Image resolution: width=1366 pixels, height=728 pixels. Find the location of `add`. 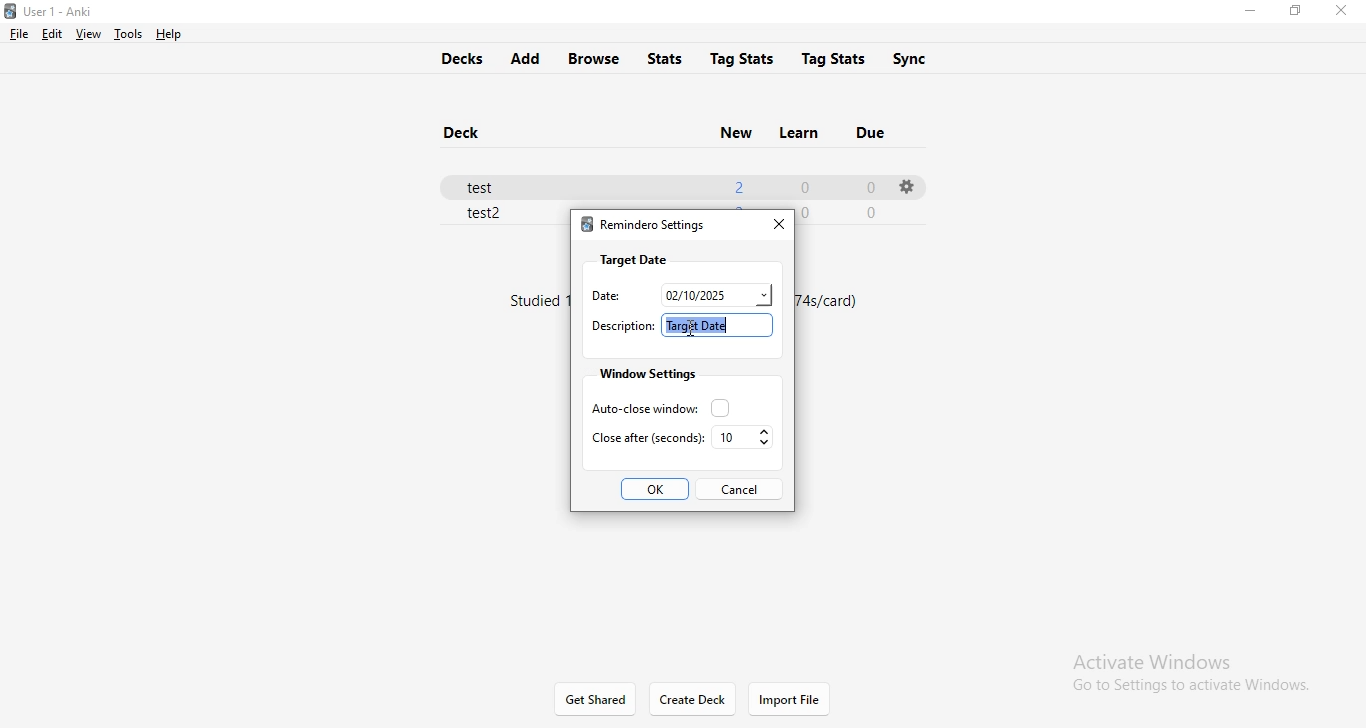

add is located at coordinates (524, 59).